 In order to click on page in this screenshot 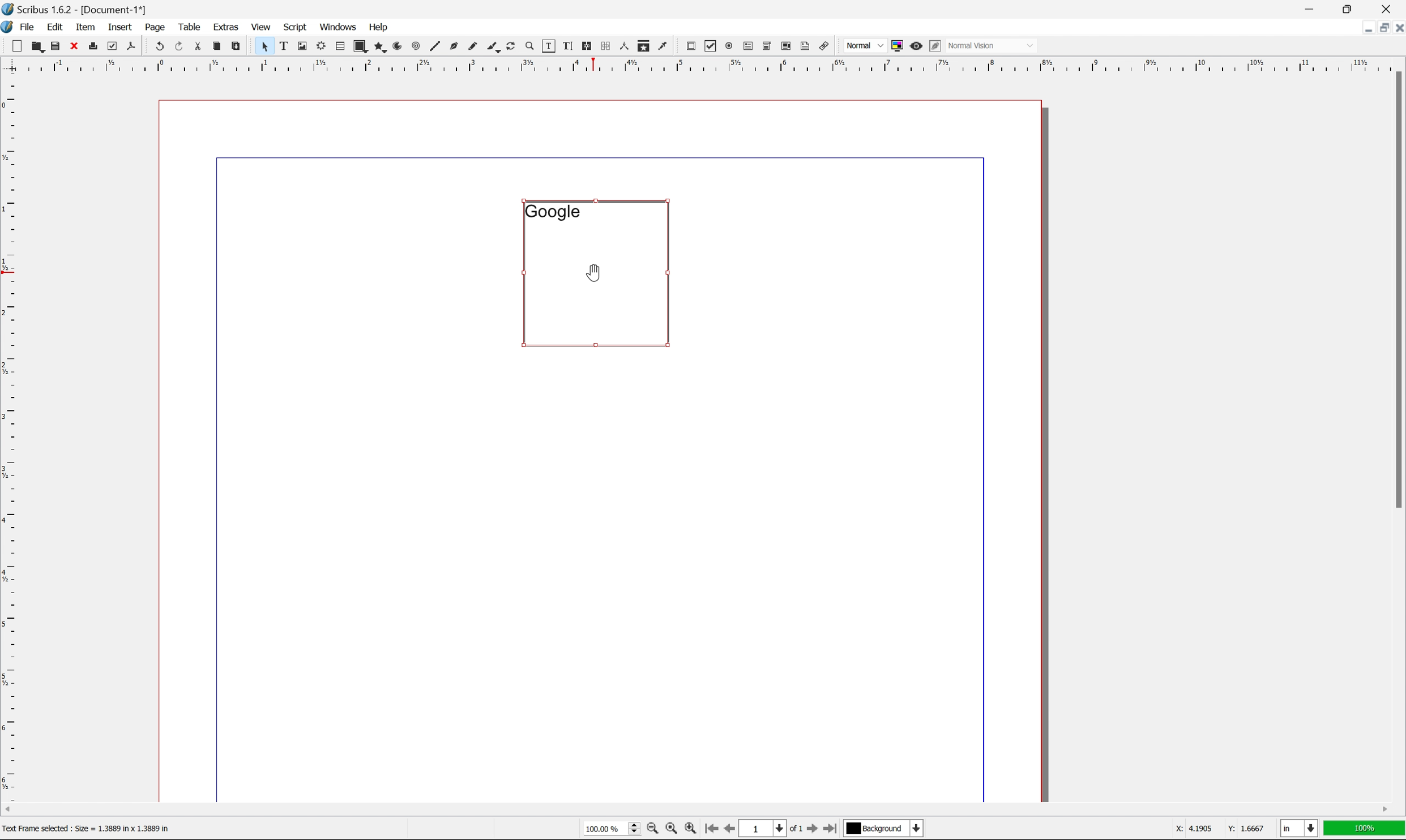, I will do `click(155, 27)`.